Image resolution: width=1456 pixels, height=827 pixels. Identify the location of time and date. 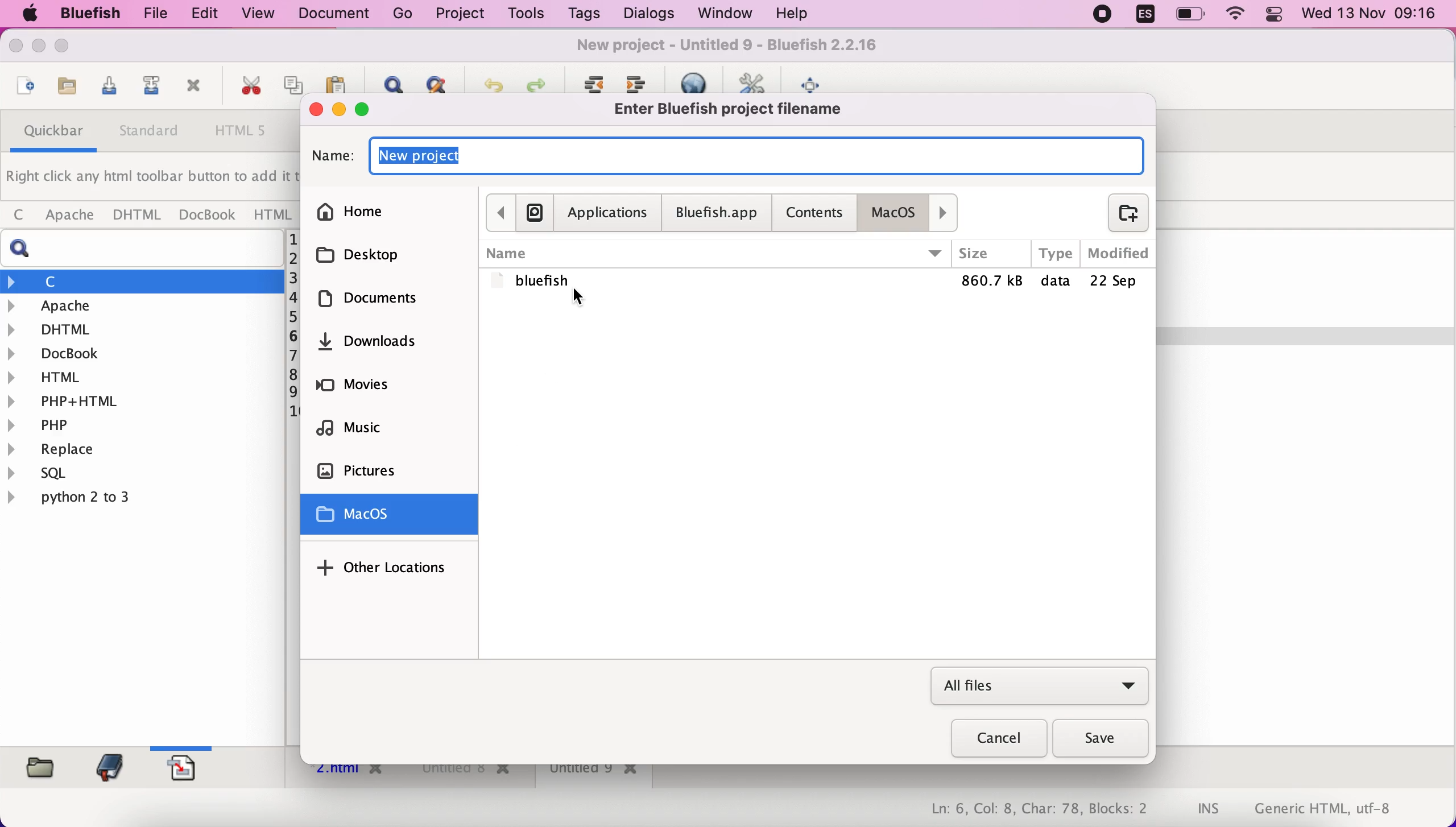
(1371, 15).